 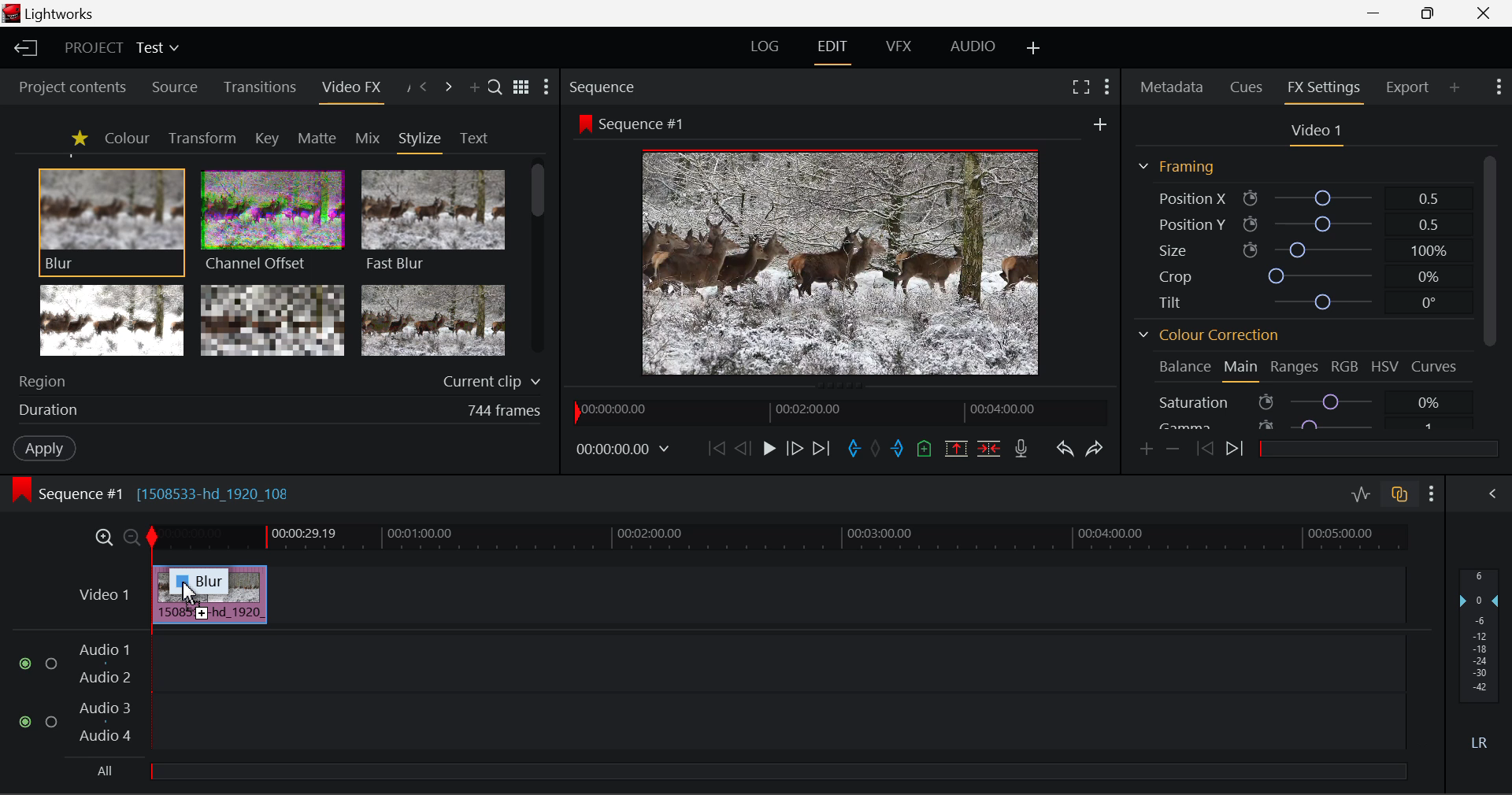 What do you see at coordinates (421, 138) in the screenshot?
I see `Stylize Panel Open` at bounding box center [421, 138].